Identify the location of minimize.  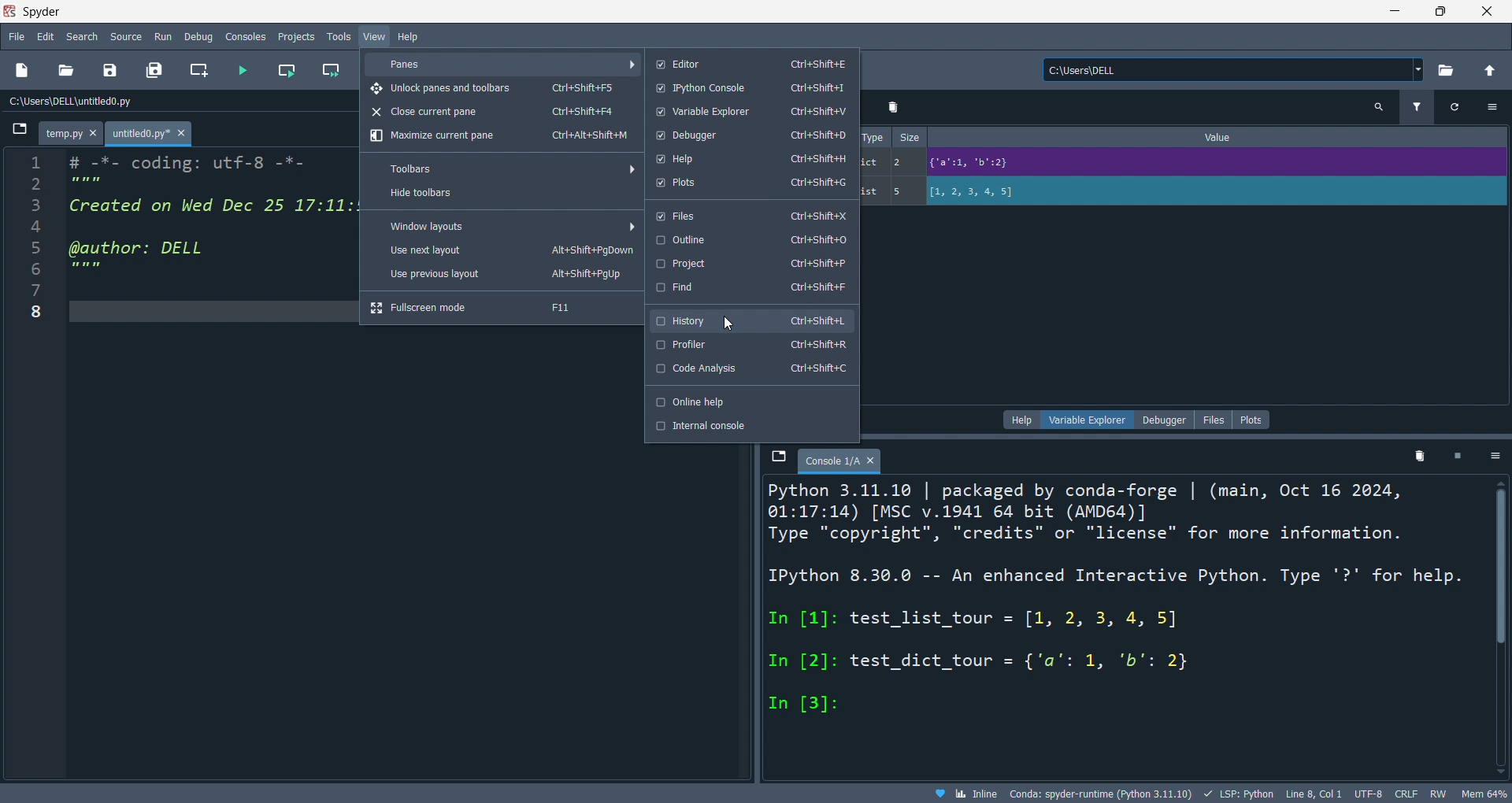
(1392, 10).